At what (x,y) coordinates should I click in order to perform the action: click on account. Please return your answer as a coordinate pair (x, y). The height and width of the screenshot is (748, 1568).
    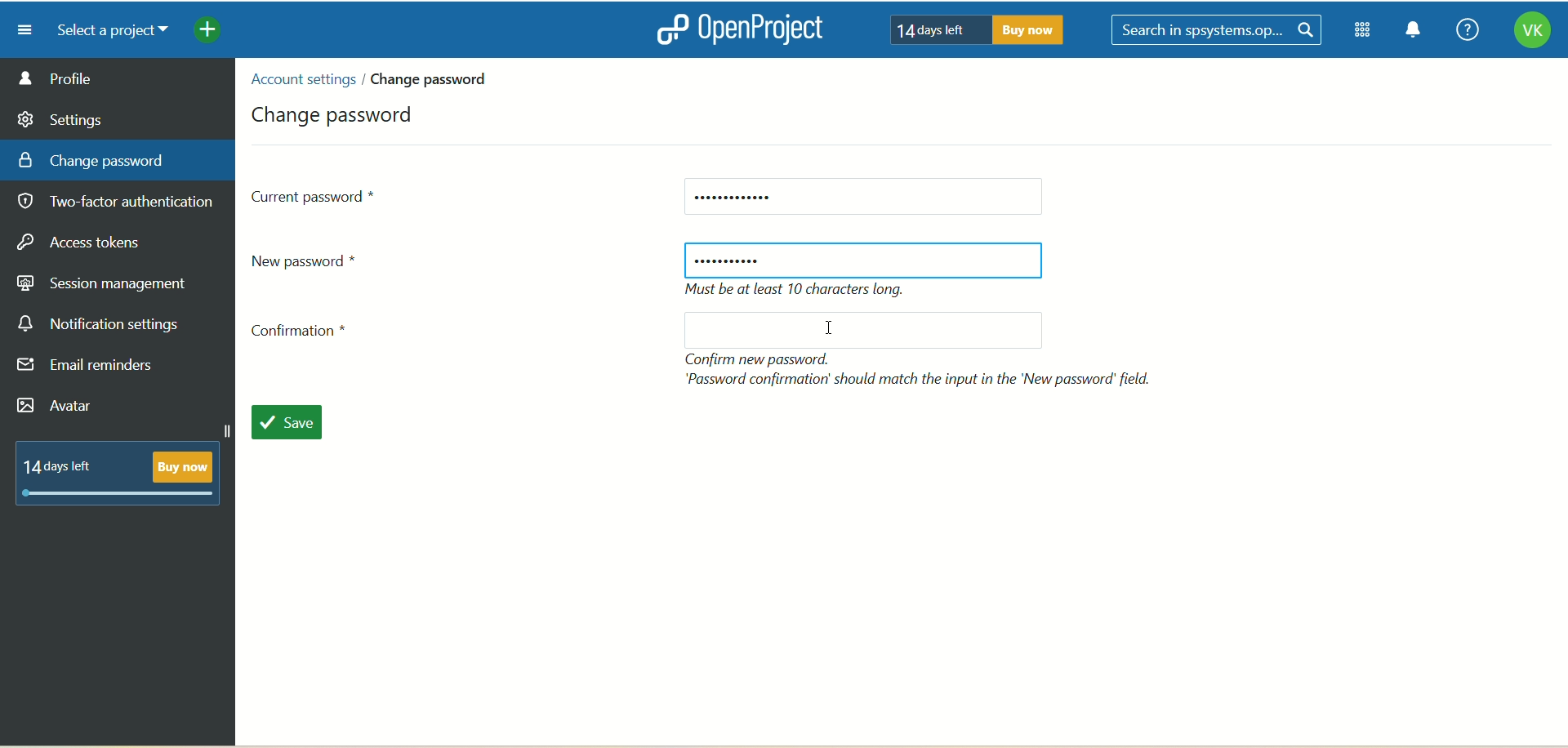
    Looking at the image, I should click on (1531, 33).